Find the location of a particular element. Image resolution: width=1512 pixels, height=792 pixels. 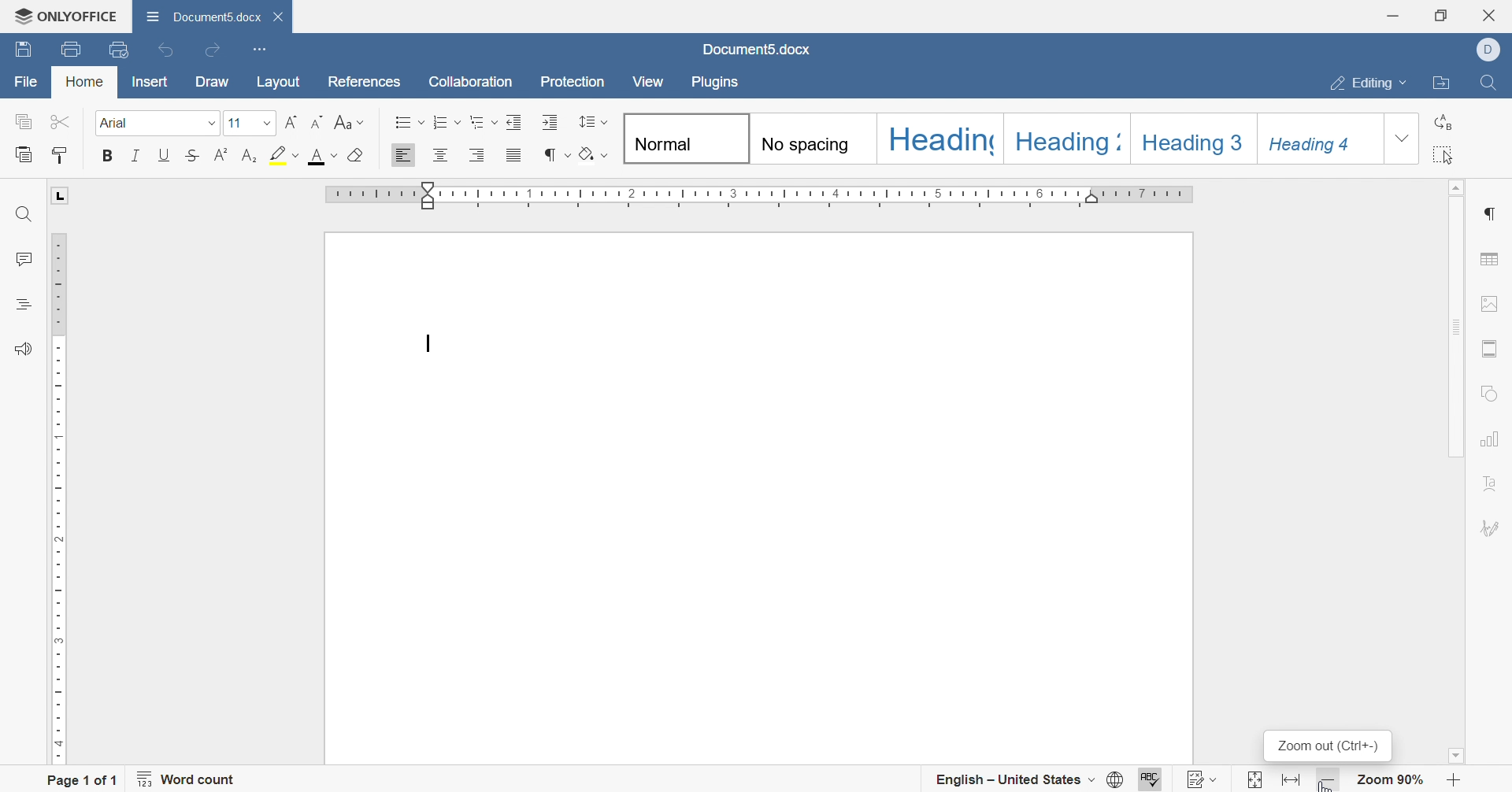

scroll up is located at coordinates (1458, 188).